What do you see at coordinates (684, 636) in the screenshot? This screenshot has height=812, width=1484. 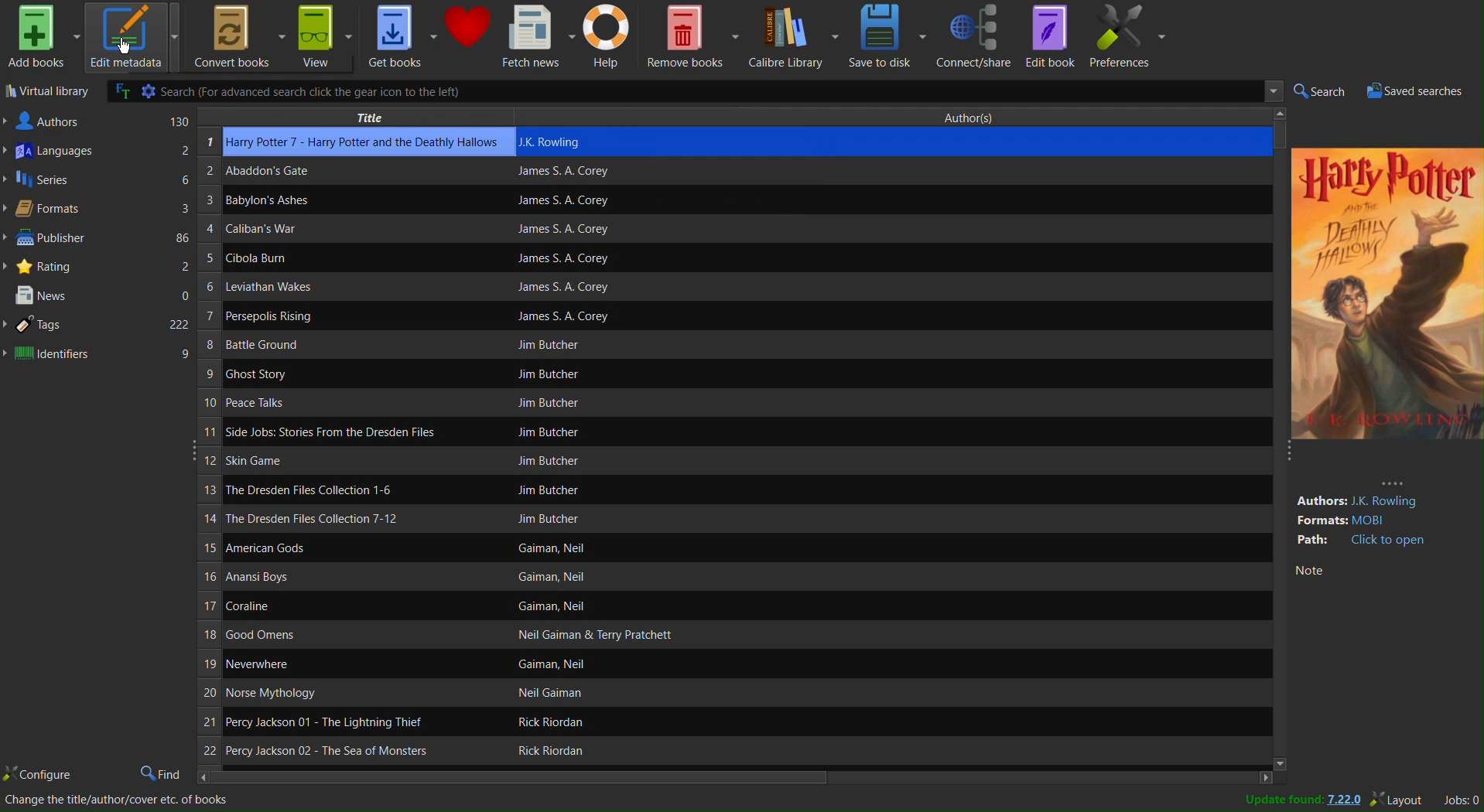 I see `Author’s name` at bounding box center [684, 636].